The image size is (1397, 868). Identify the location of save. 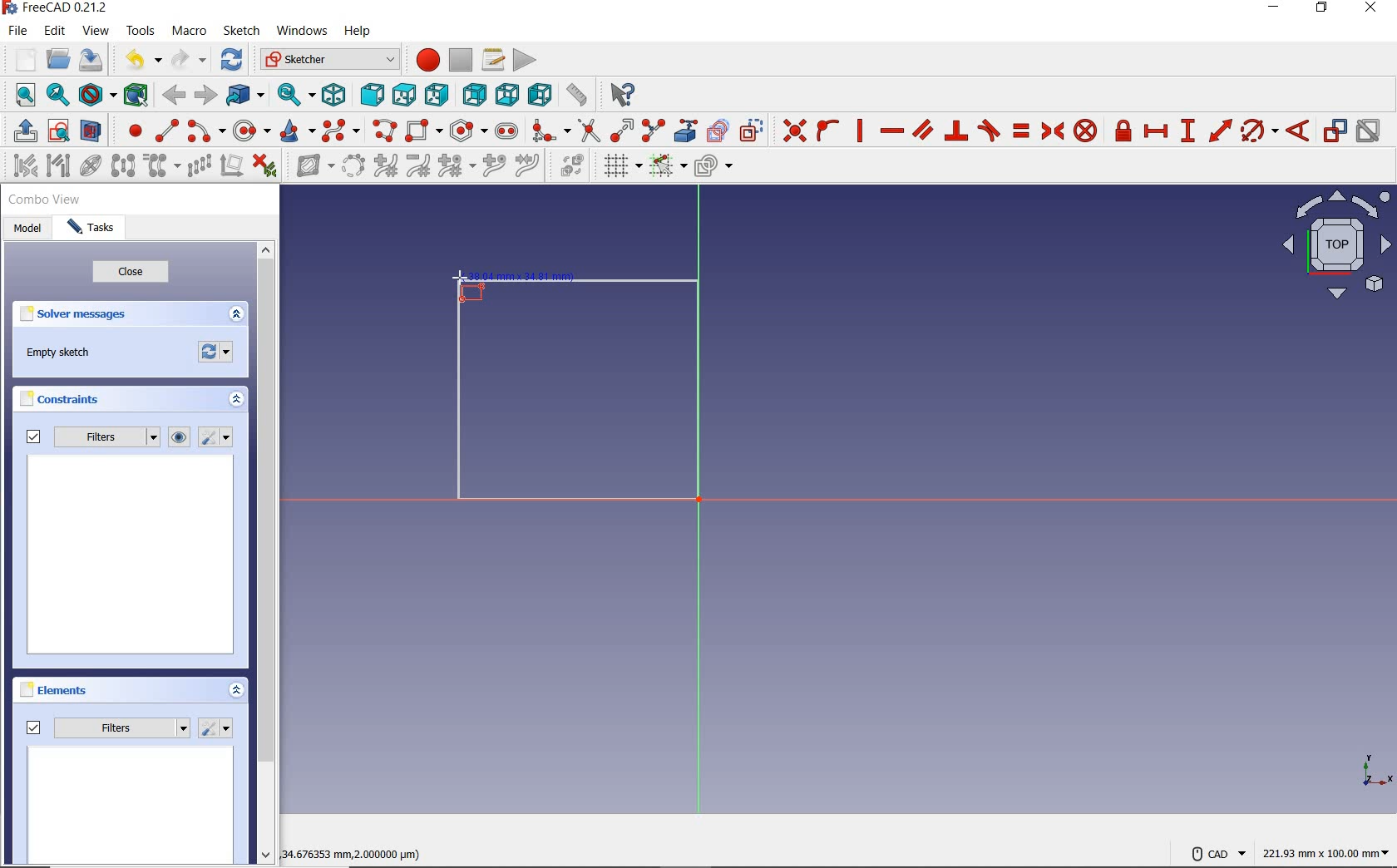
(91, 59).